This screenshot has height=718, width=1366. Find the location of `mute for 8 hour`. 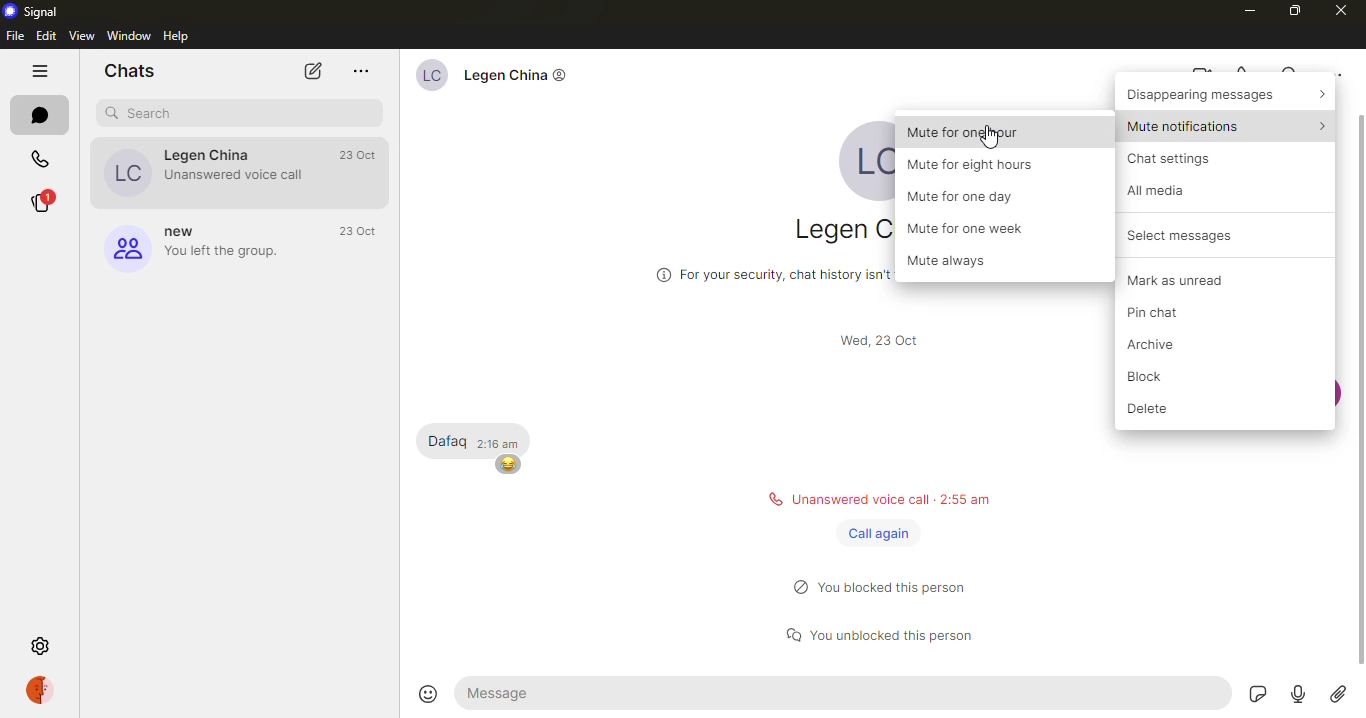

mute for 8 hour is located at coordinates (976, 165).